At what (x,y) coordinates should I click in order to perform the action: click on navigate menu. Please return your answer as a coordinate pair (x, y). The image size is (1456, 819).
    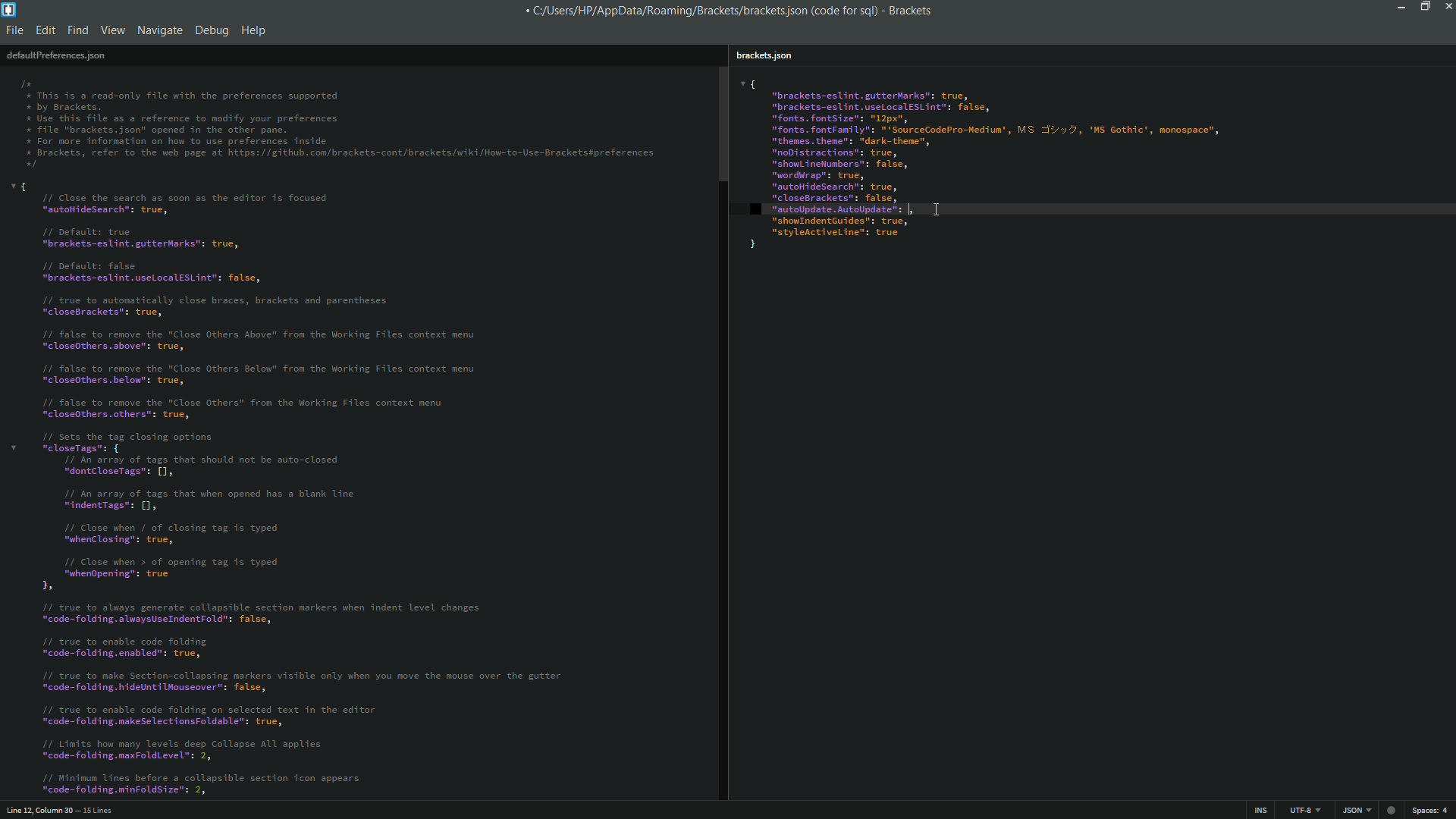
    Looking at the image, I should click on (158, 30).